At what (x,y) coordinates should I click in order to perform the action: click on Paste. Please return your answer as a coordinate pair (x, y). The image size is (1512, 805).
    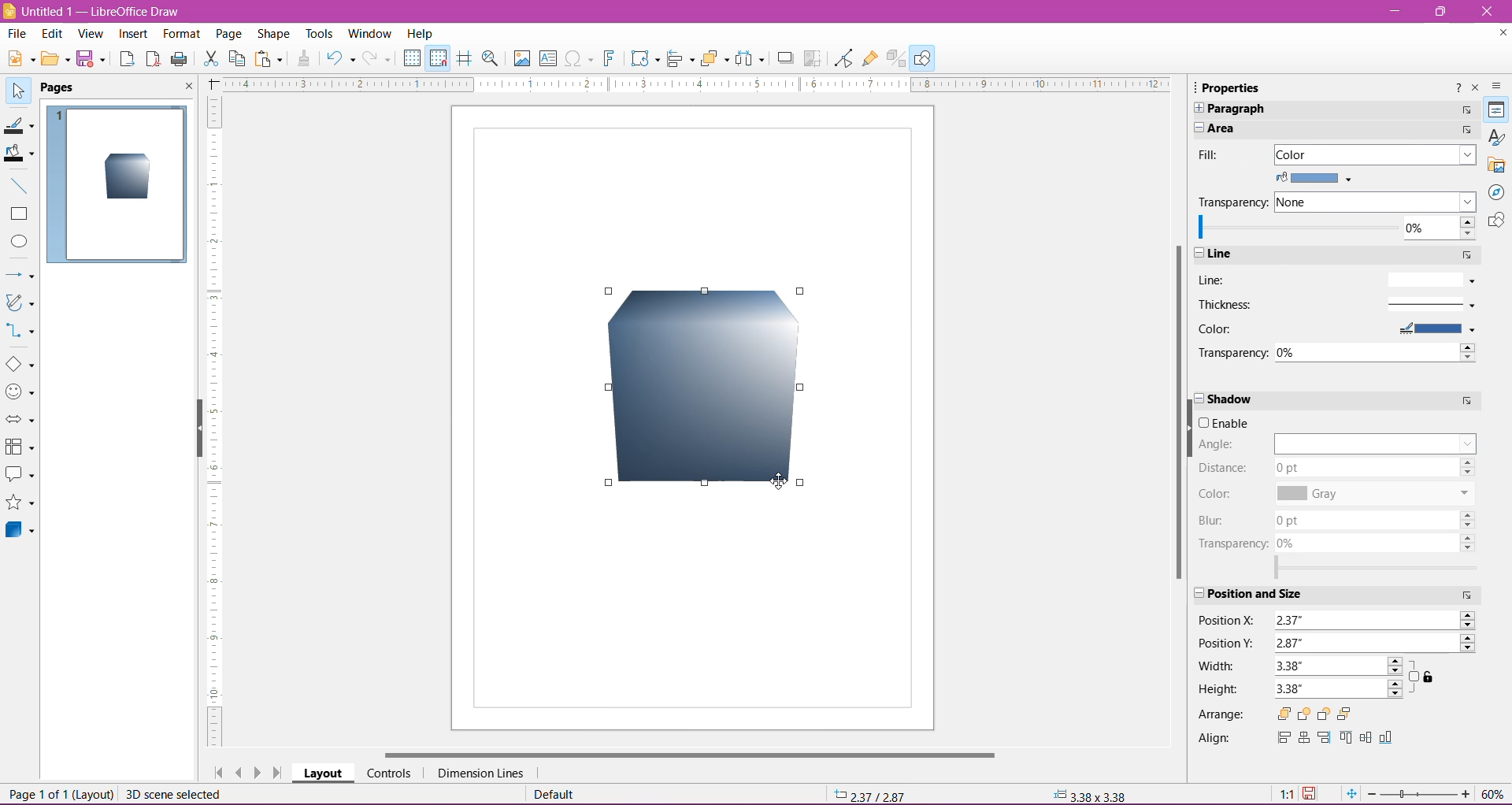
    Looking at the image, I should click on (270, 60).